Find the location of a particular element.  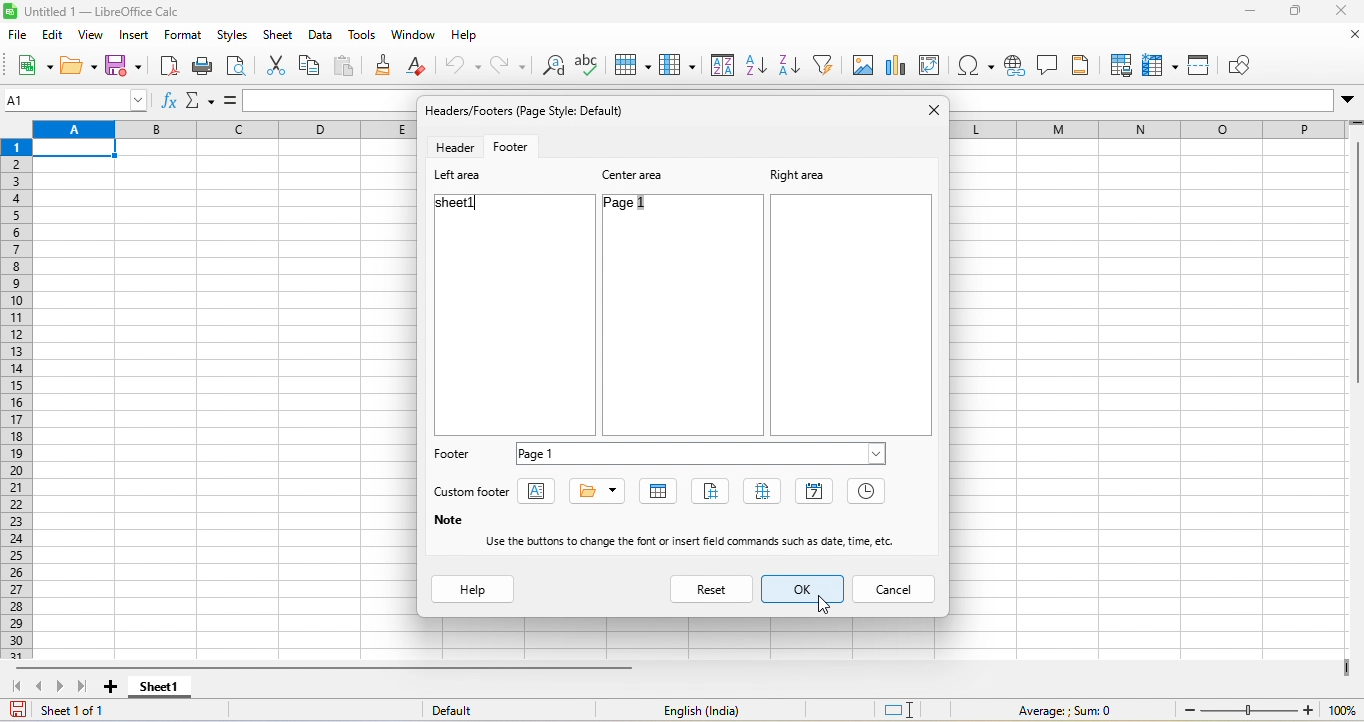

print is located at coordinates (206, 69).